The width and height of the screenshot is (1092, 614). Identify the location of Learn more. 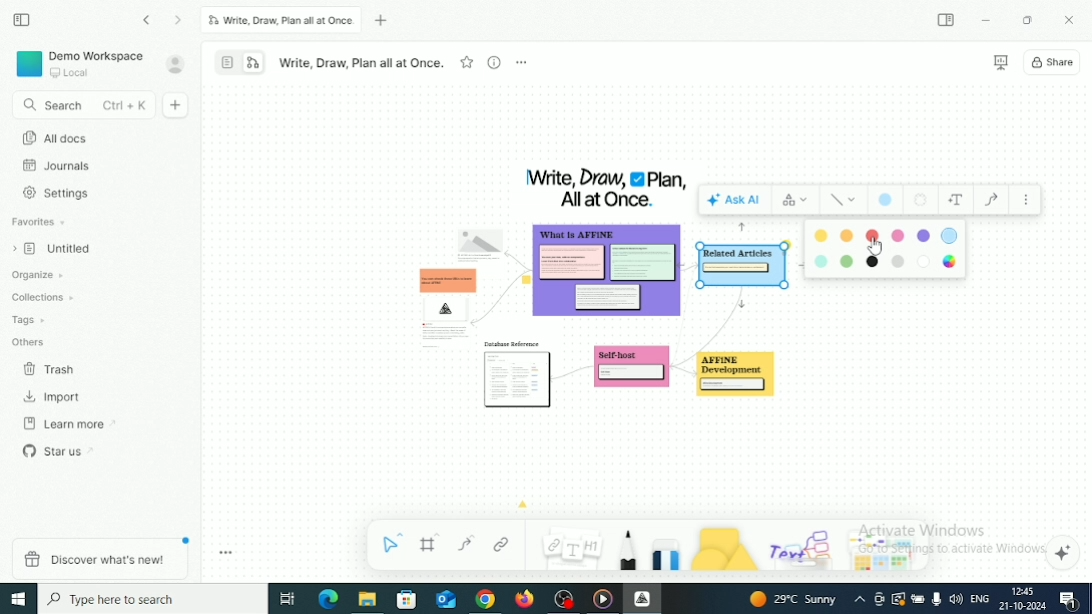
(70, 424).